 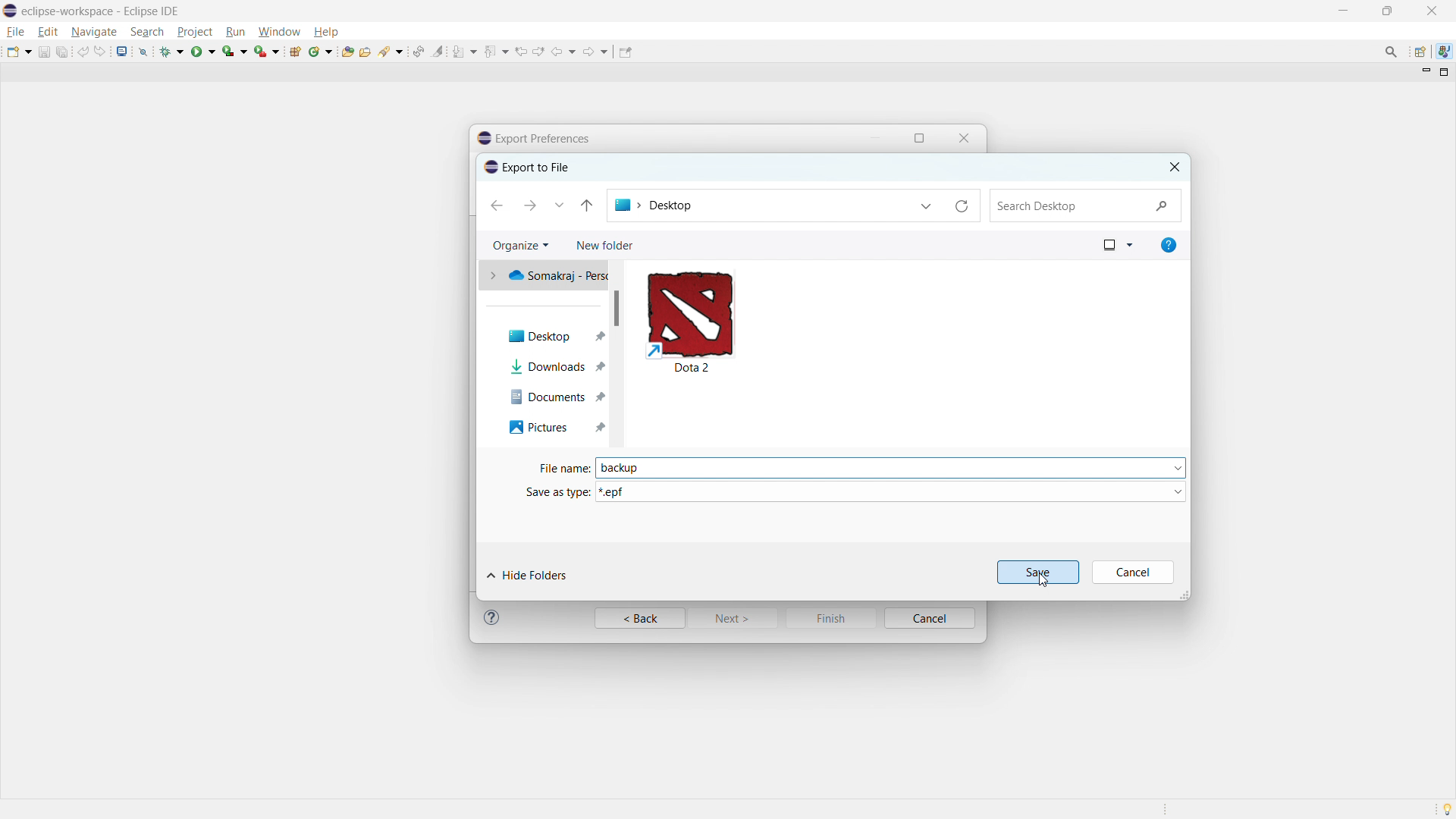 What do you see at coordinates (418, 51) in the screenshot?
I see `toggle ant editor auto reconcile` at bounding box center [418, 51].